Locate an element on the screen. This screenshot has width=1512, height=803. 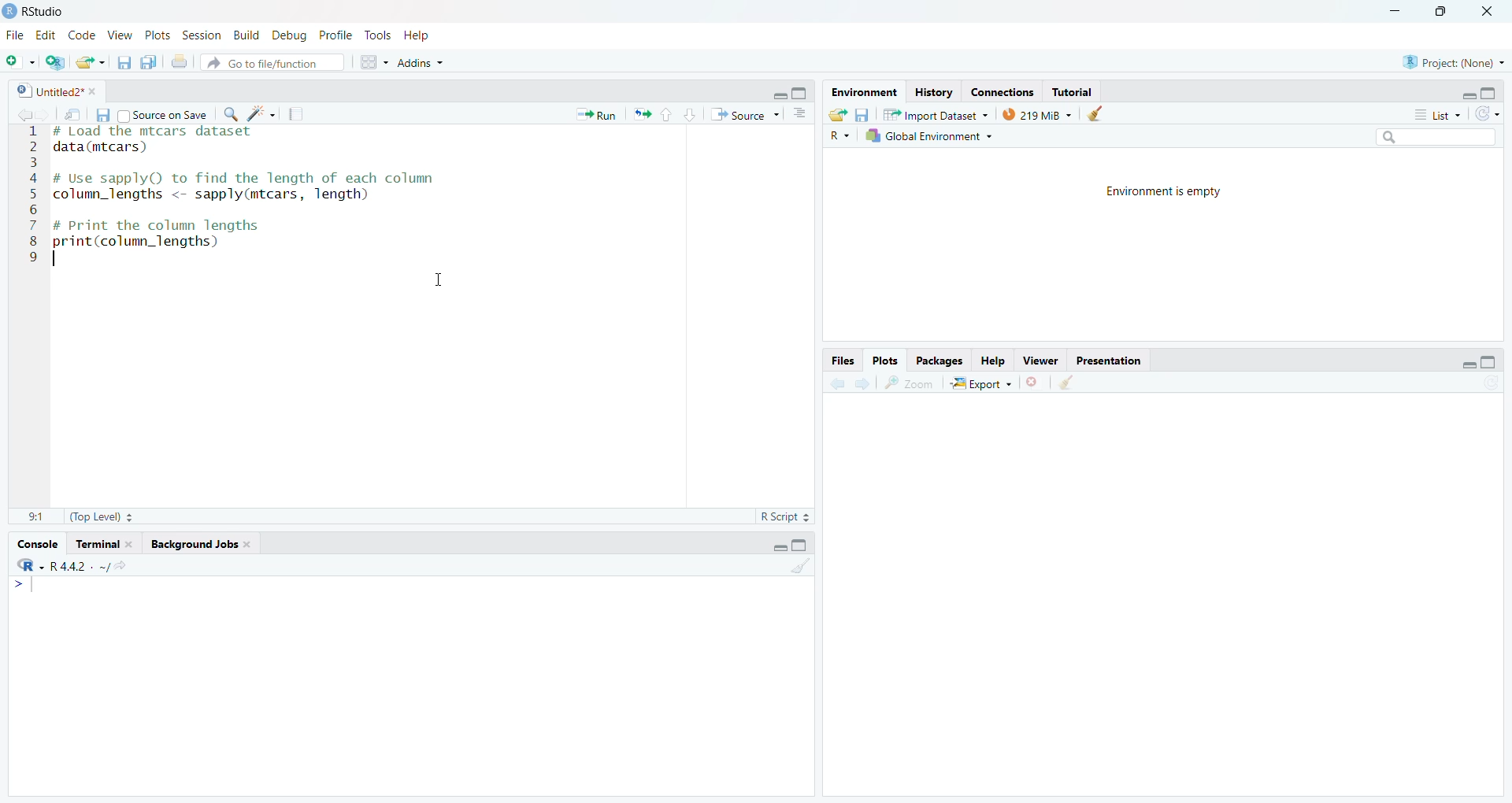
Import Dataset ~ is located at coordinates (936, 114).